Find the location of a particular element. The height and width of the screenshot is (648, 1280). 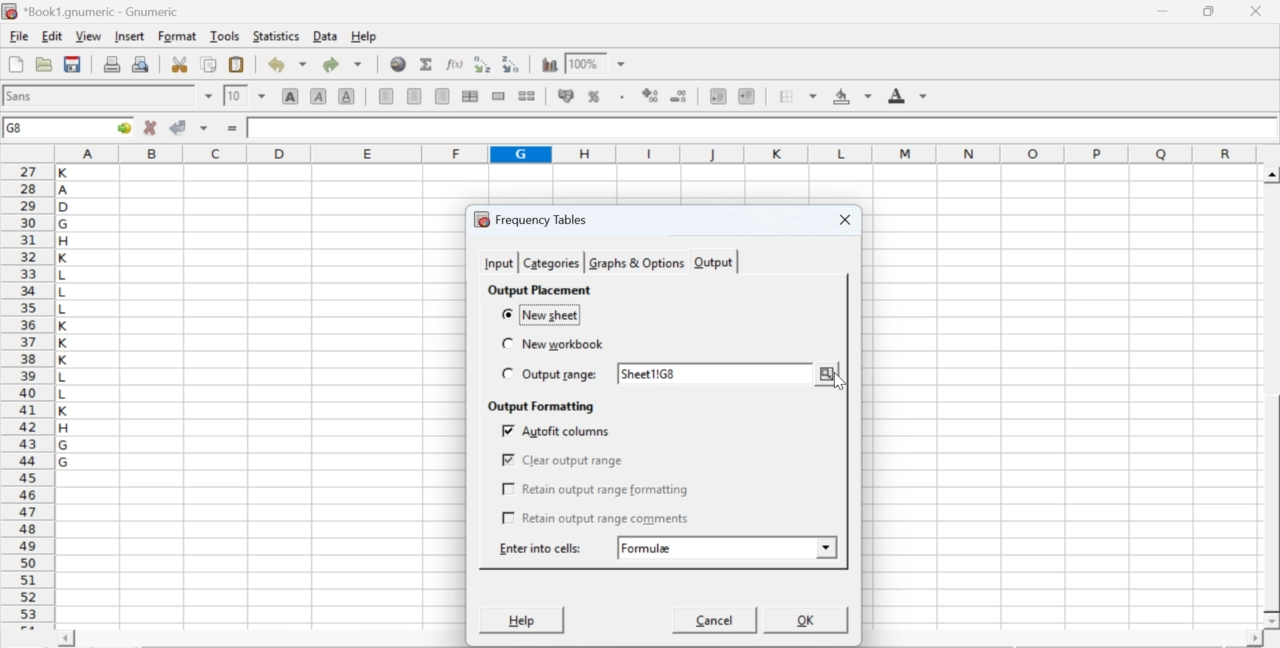

tools is located at coordinates (226, 35).